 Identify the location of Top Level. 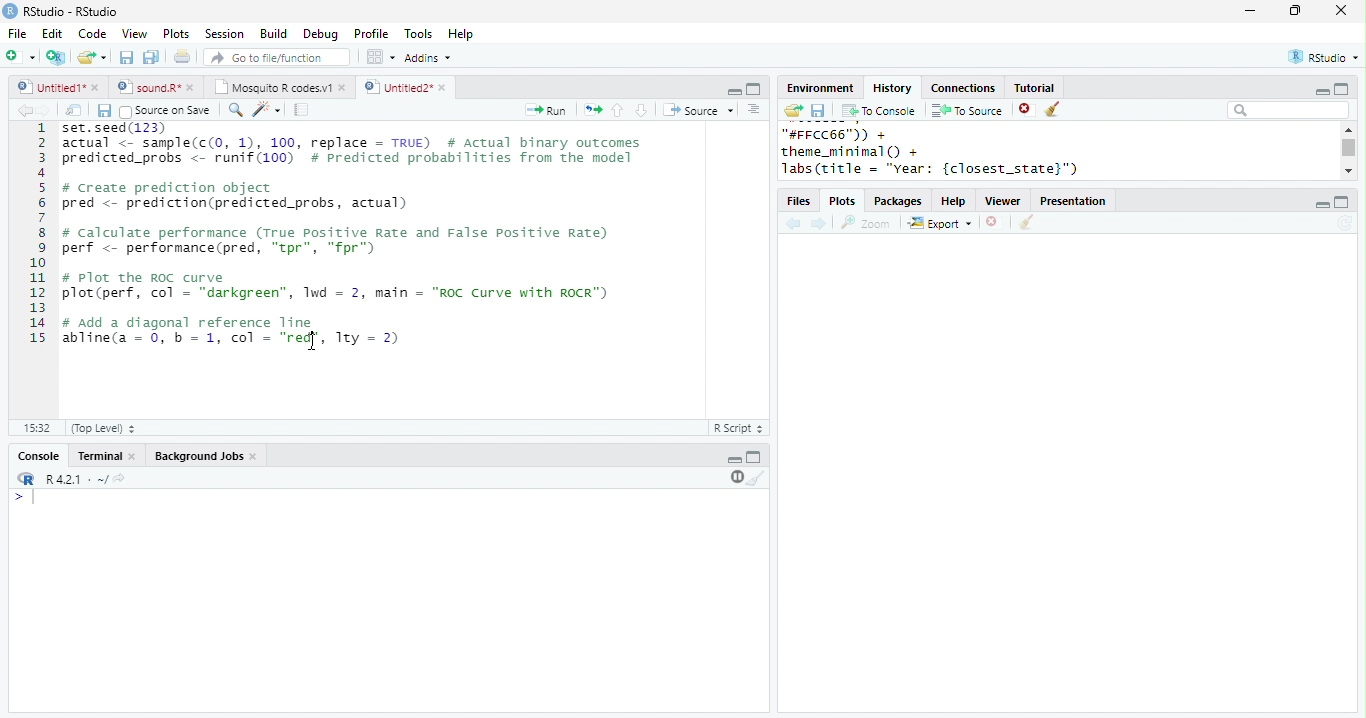
(105, 428).